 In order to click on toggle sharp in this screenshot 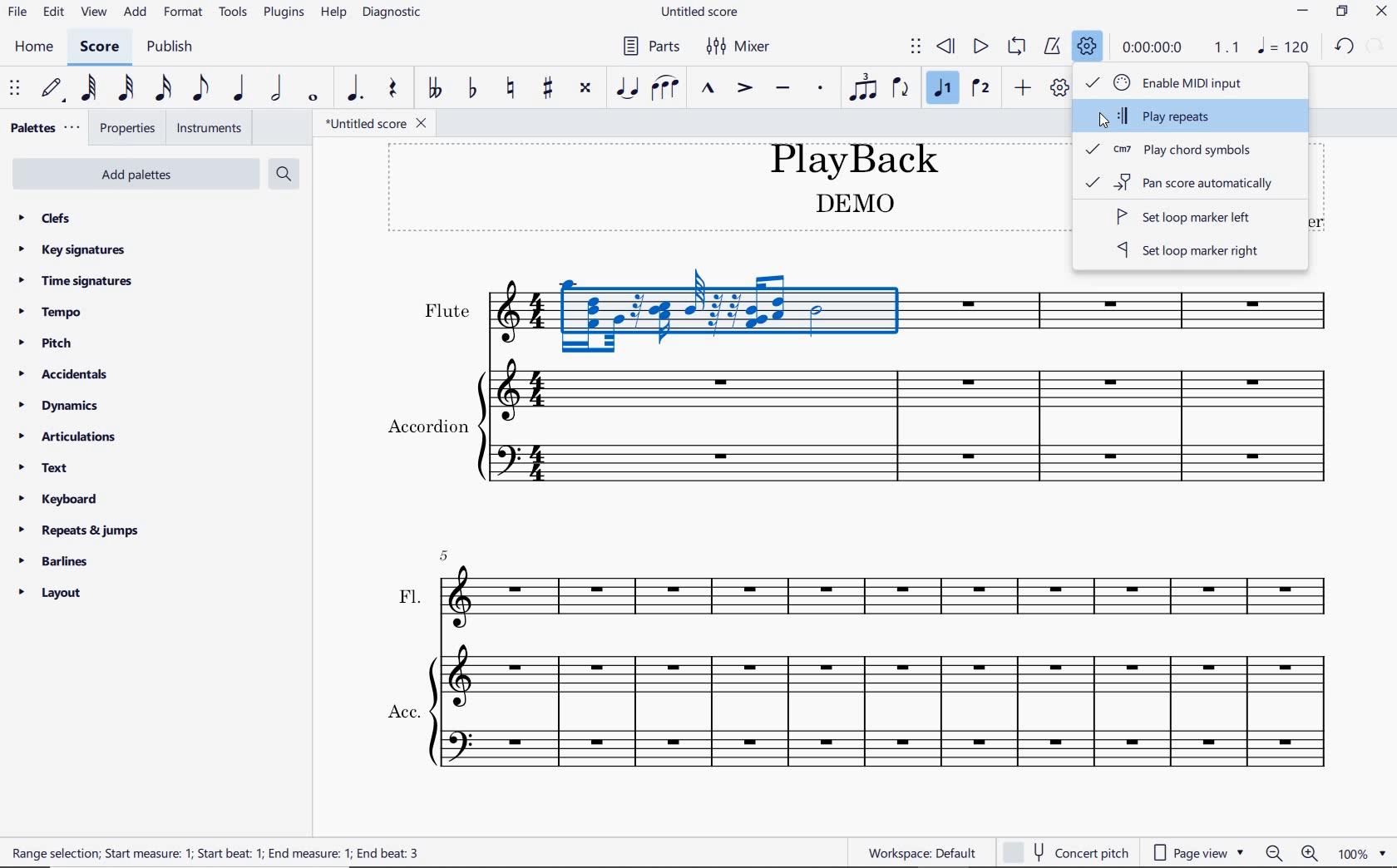, I will do `click(545, 87)`.